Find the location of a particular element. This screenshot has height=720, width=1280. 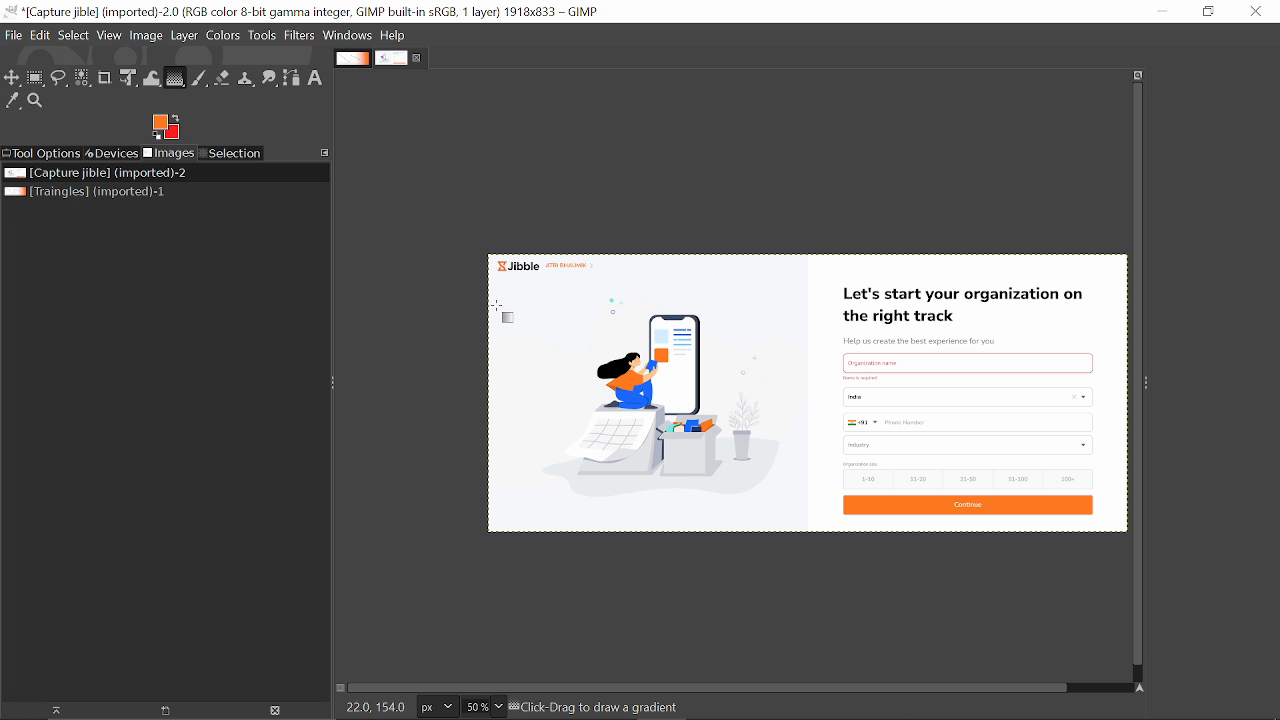

Current window is located at coordinates (302, 11).